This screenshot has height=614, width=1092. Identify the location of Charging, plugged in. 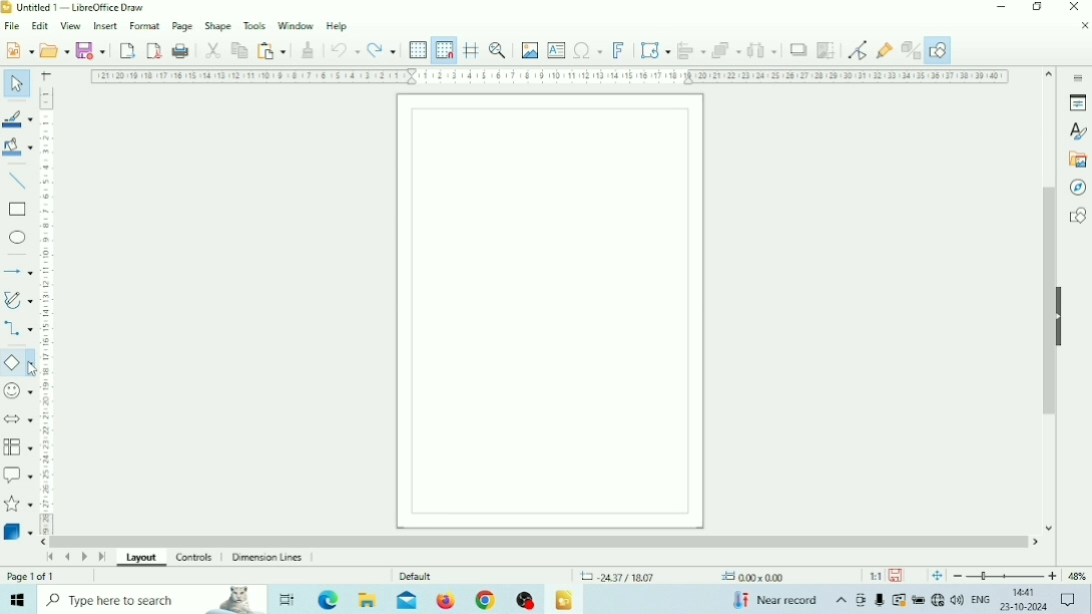
(917, 600).